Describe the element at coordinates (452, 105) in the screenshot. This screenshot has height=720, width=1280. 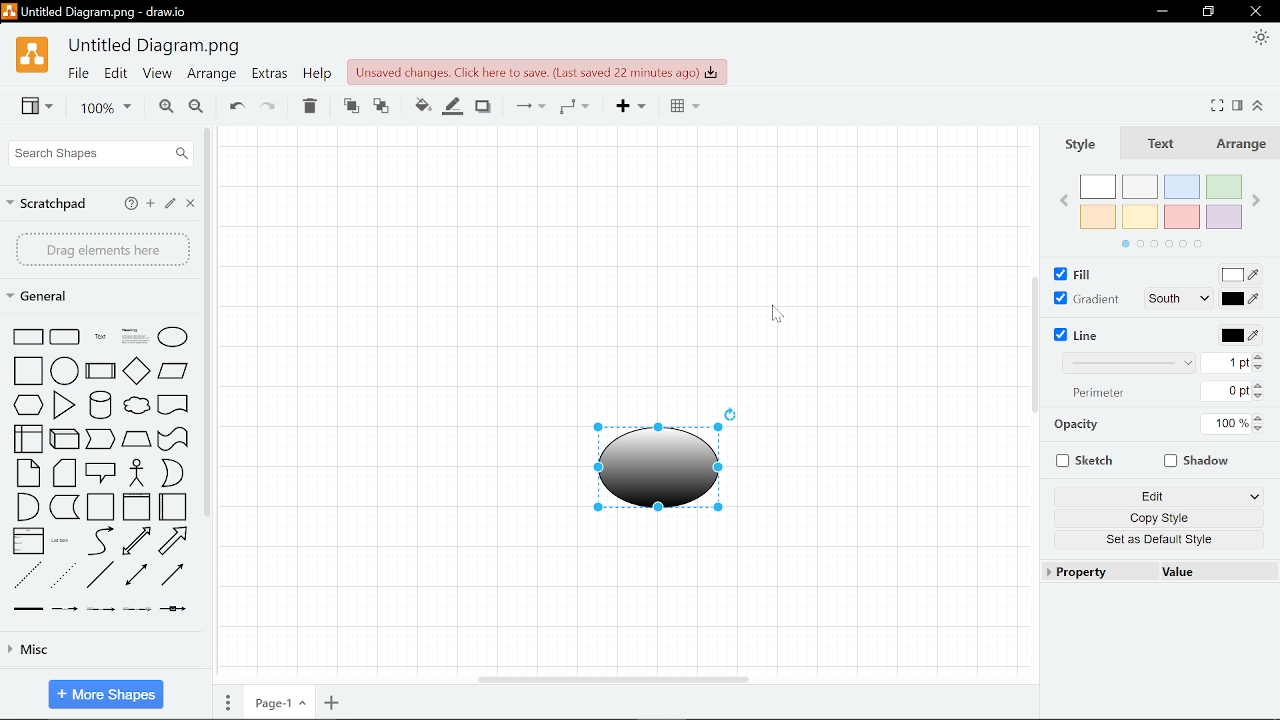
I see `Line color` at that location.